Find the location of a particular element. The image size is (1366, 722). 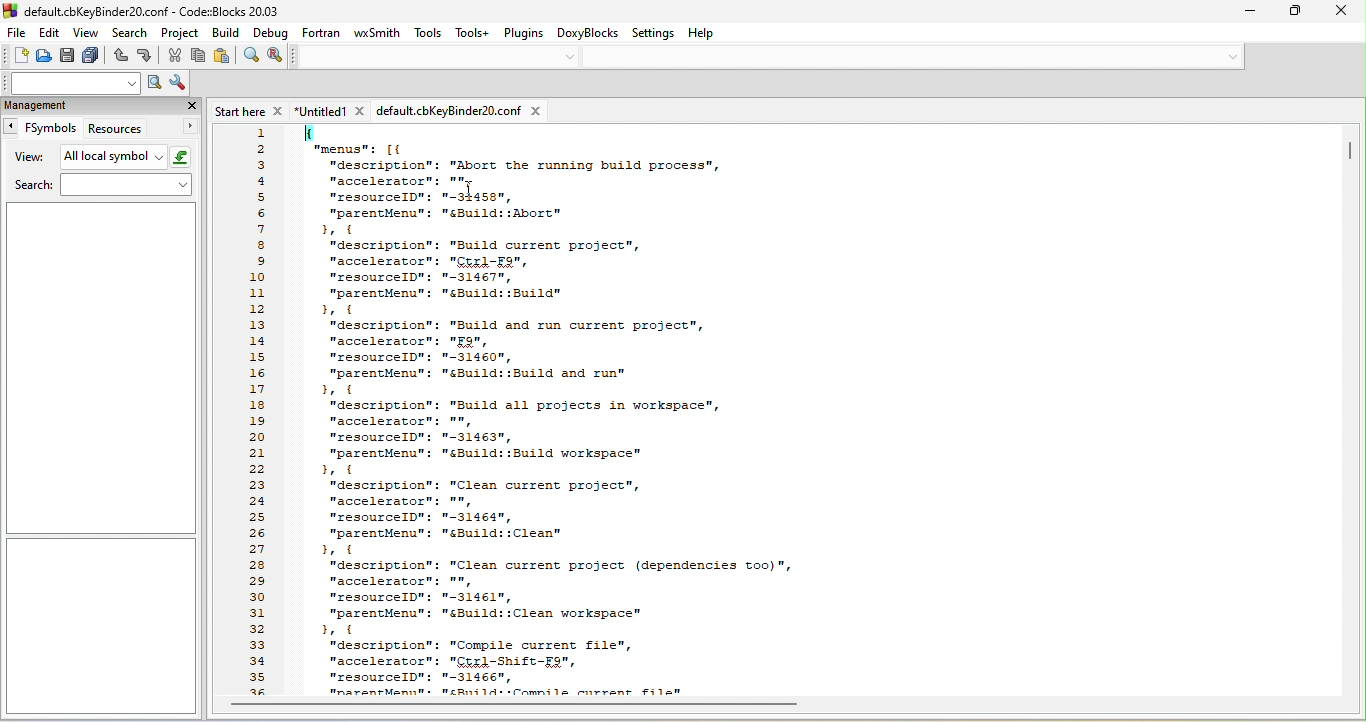

project is located at coordinates (178, 31).